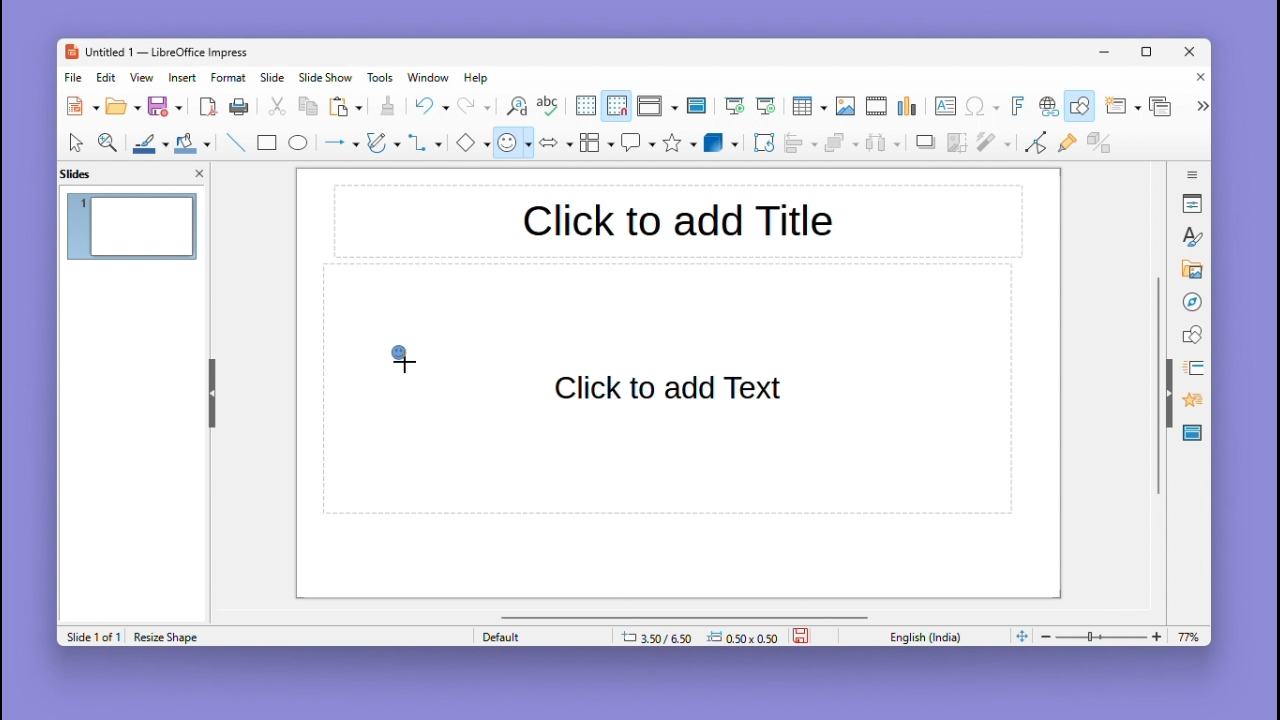 This screenshot has width=1280, height=720. What do you see at coordinates (475, 107) in the screenshot?
I see `redo` at bounding box center [475, 107].